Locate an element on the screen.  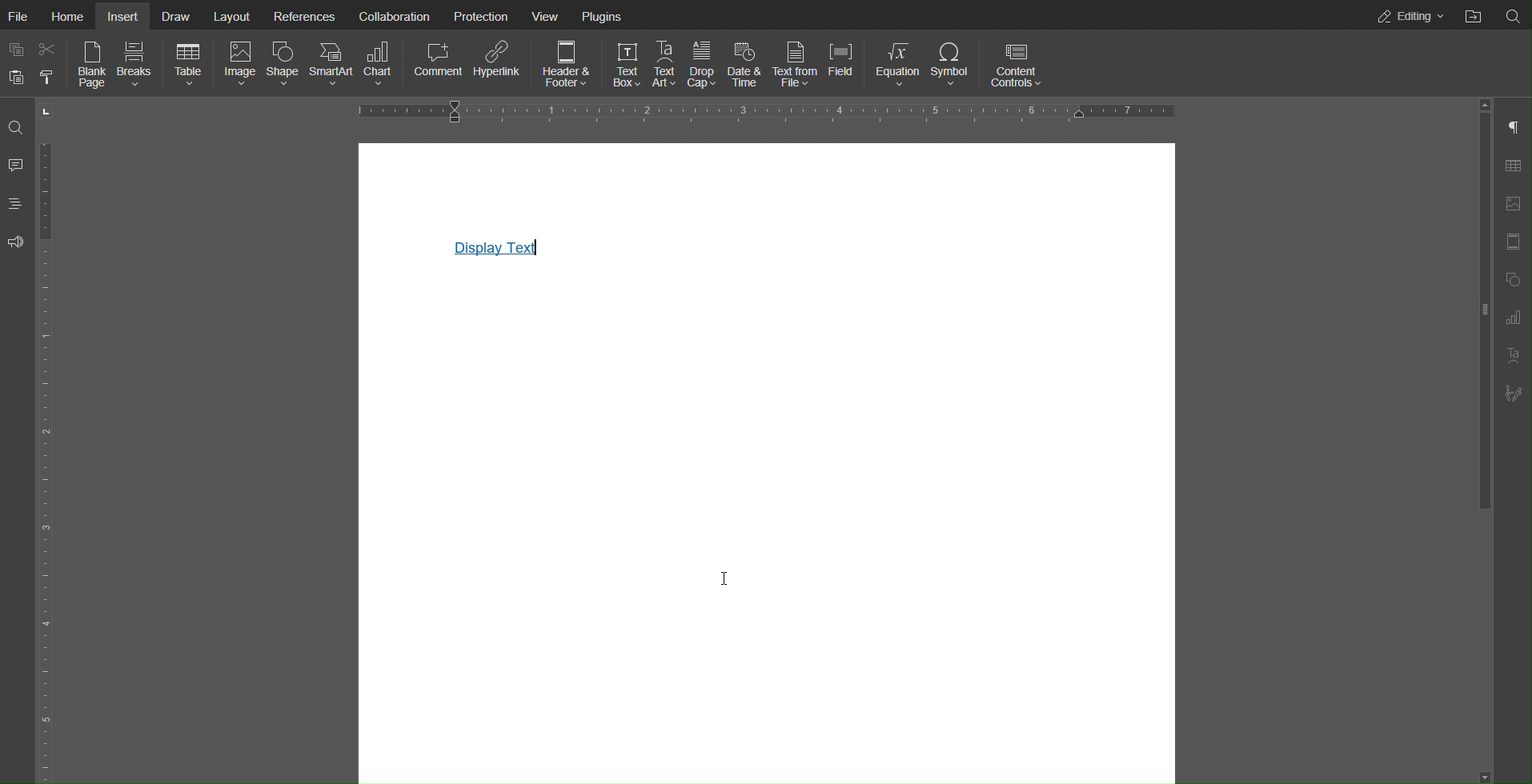
Table is located at coordinates (190, 65).